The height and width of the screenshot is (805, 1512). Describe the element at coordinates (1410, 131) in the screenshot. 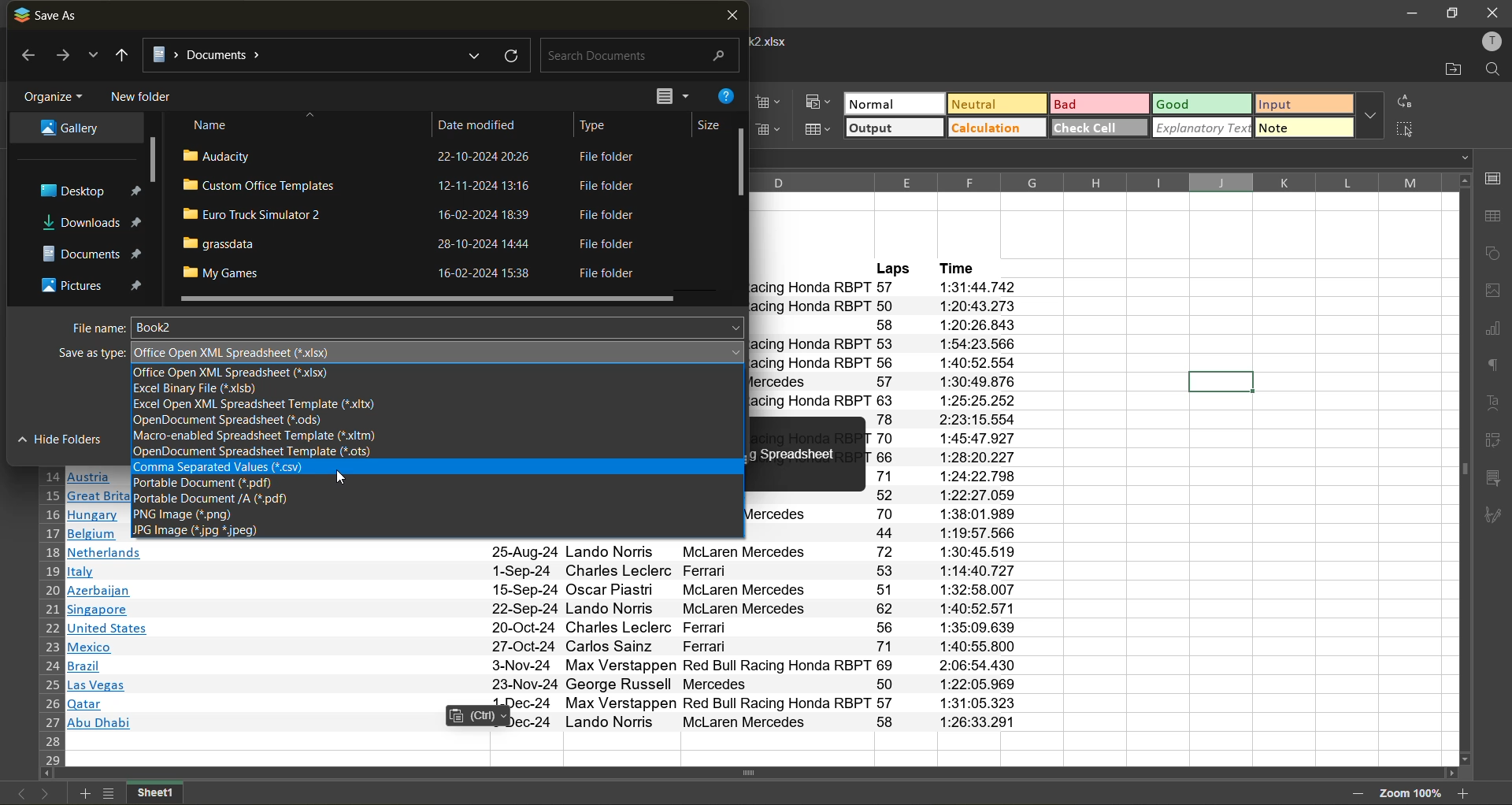

I see `select all` at that location.